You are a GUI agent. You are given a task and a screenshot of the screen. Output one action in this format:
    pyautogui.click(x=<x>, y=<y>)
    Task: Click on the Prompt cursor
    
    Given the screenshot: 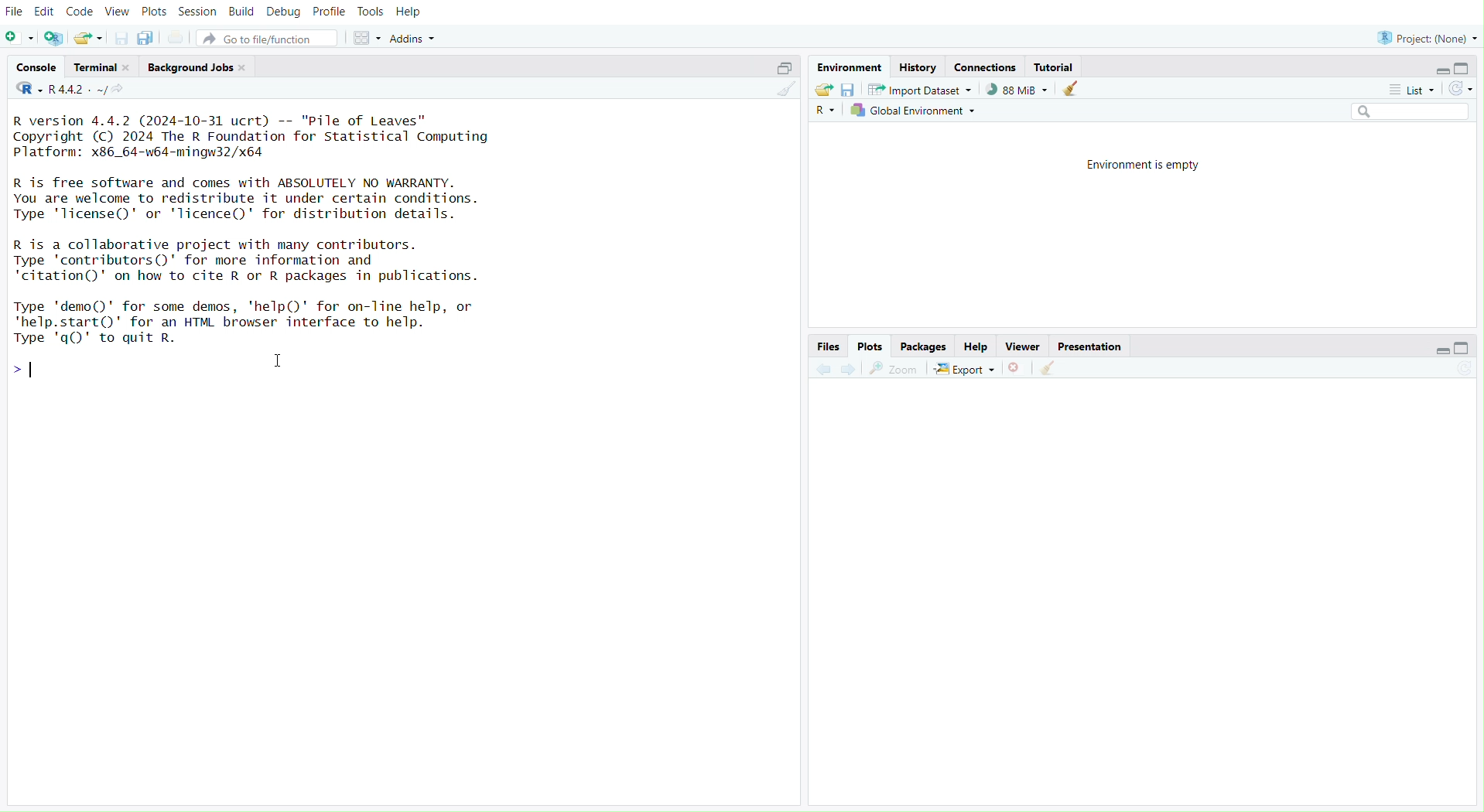 What is the action you would take?
    pyautogui.click(x=28, y=370)
    